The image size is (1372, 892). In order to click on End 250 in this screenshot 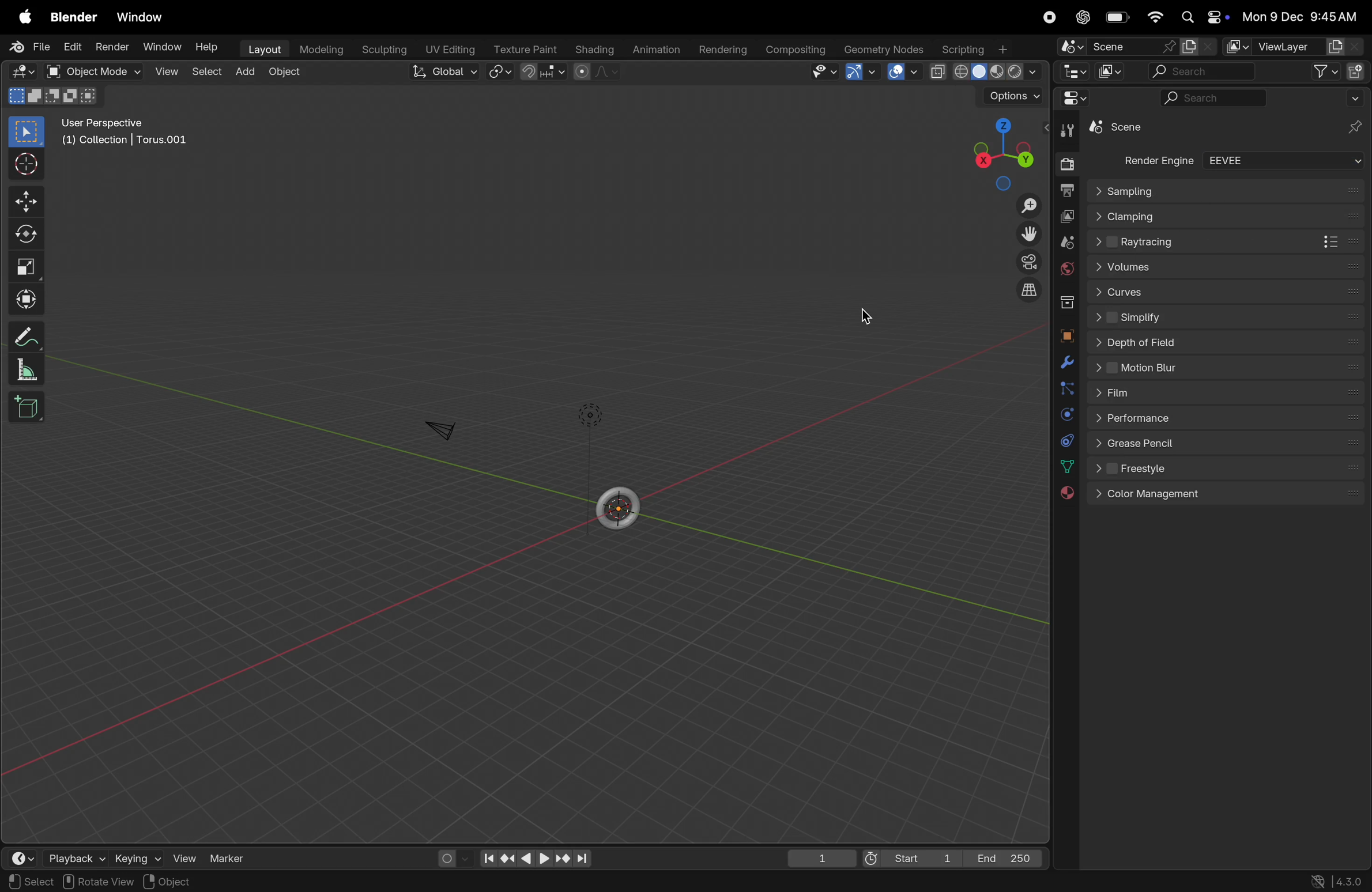, I will do `click(1004, 859)`.